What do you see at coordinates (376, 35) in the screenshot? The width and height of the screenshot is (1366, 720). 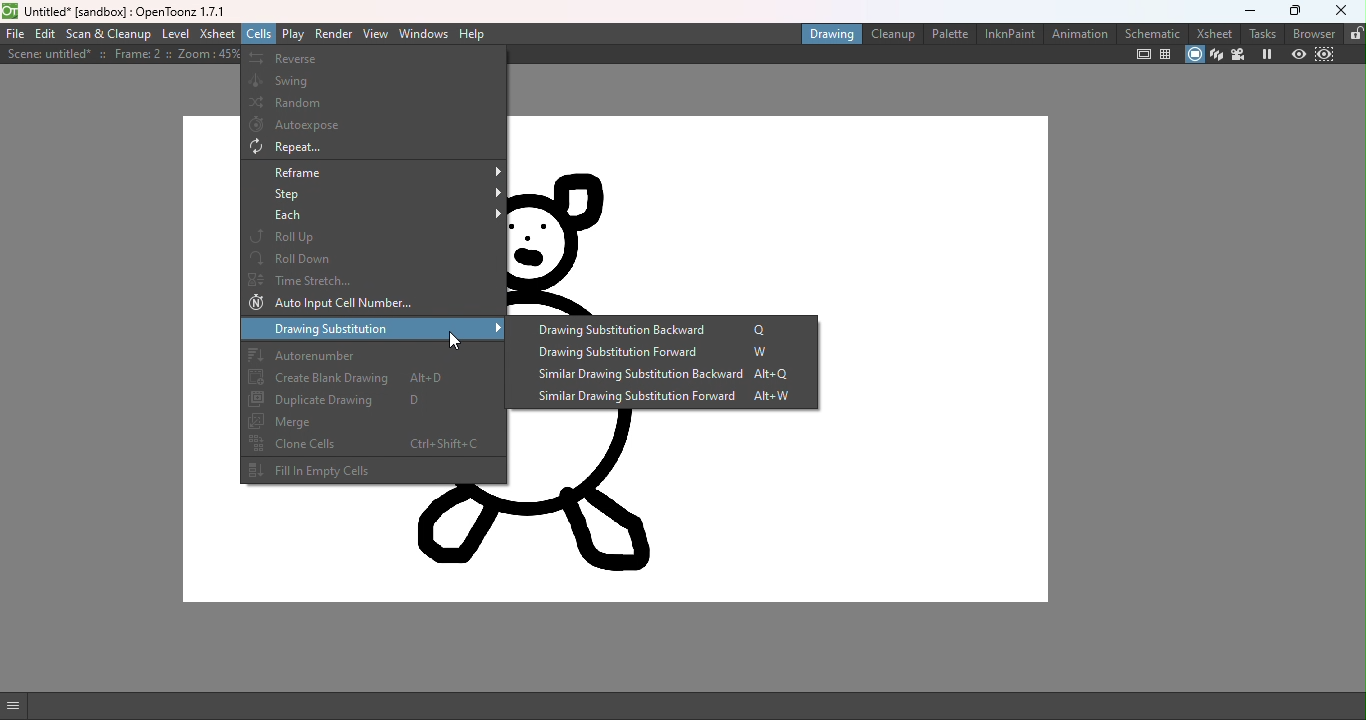 I see `View` at bounding box center [376, 35].